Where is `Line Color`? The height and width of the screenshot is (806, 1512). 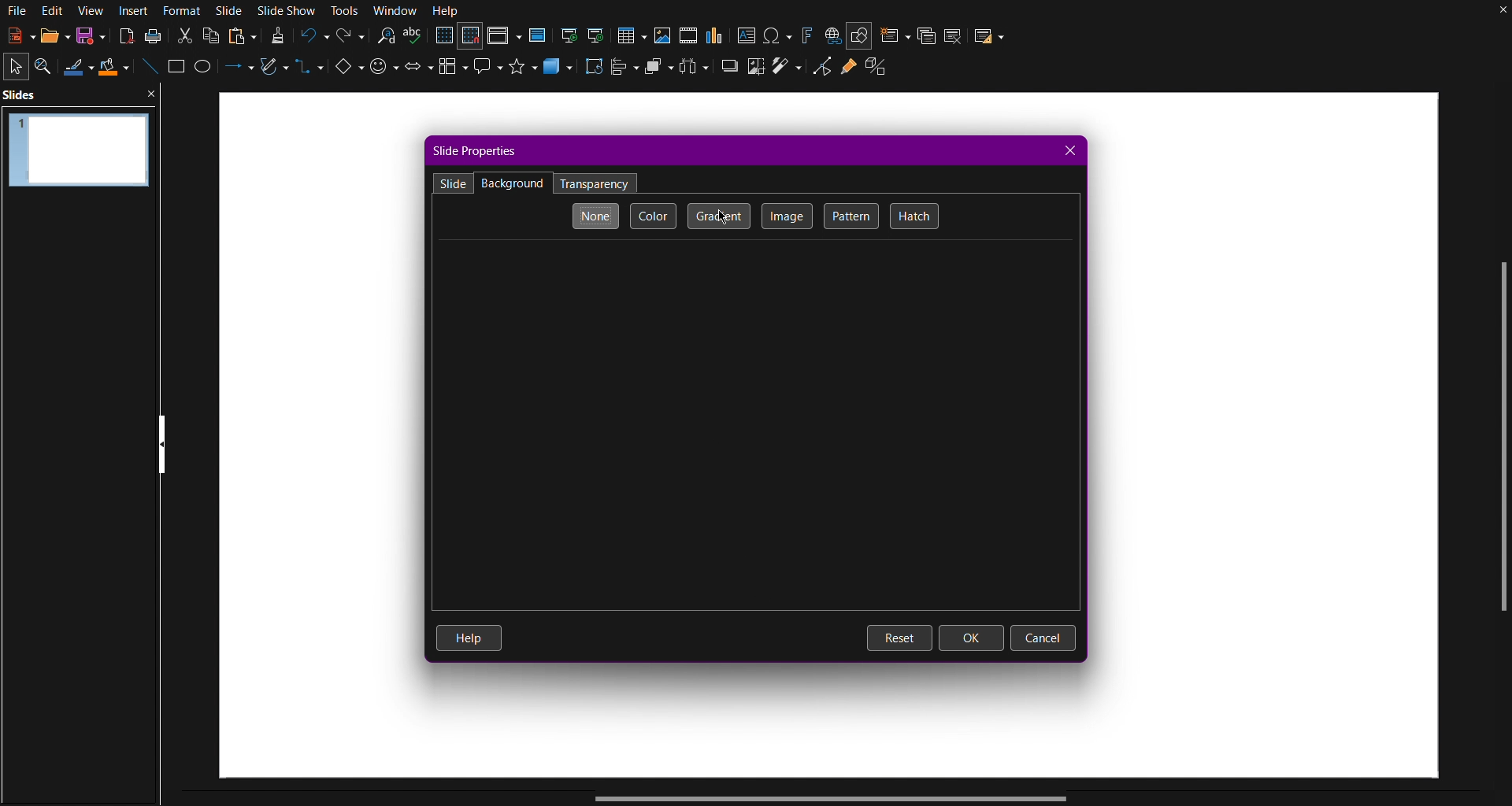
Line Color is located at coordinates (78, 68).